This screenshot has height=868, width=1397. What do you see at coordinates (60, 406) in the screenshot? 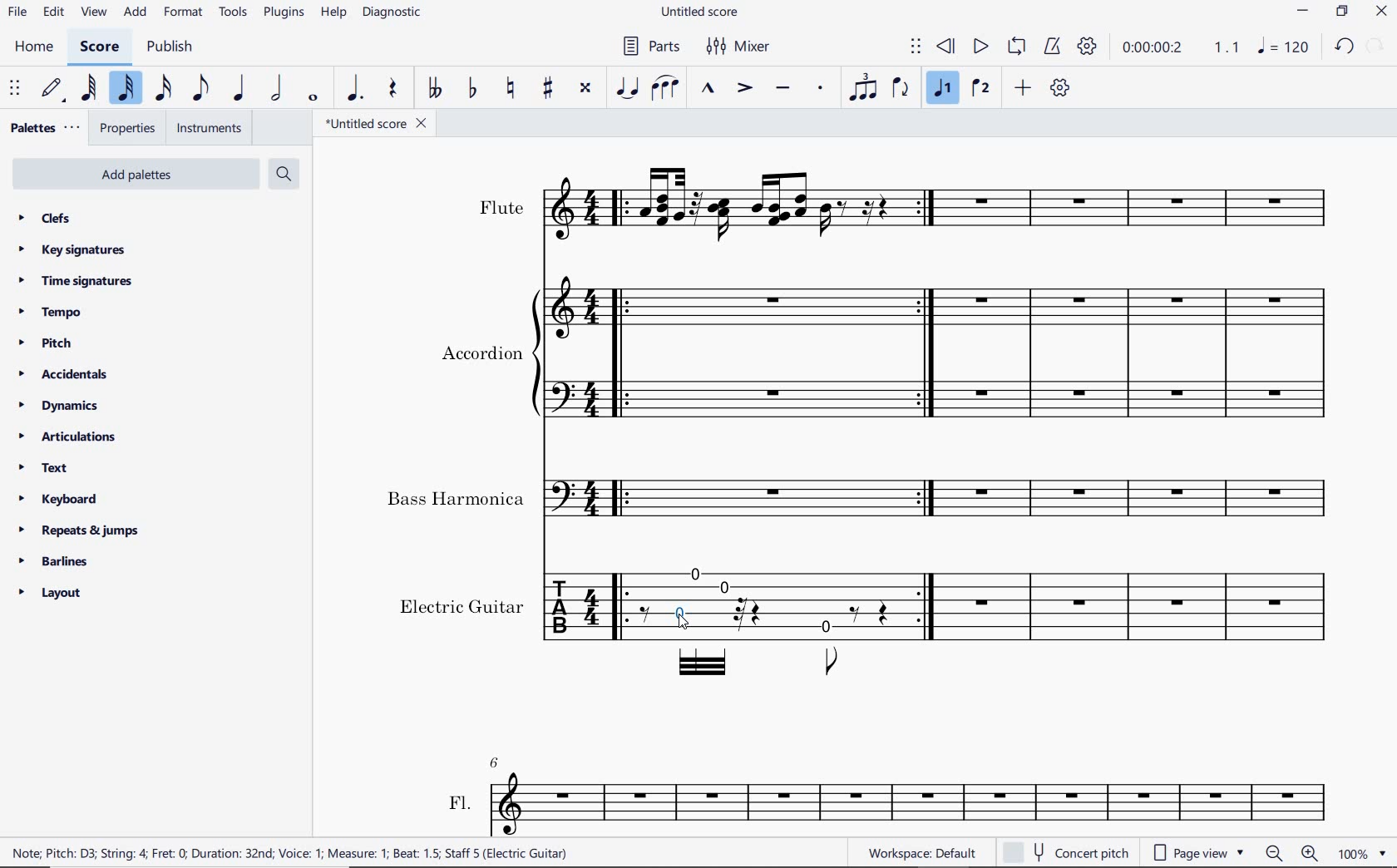
I see `dynamics` at bounding box center [60, 406].